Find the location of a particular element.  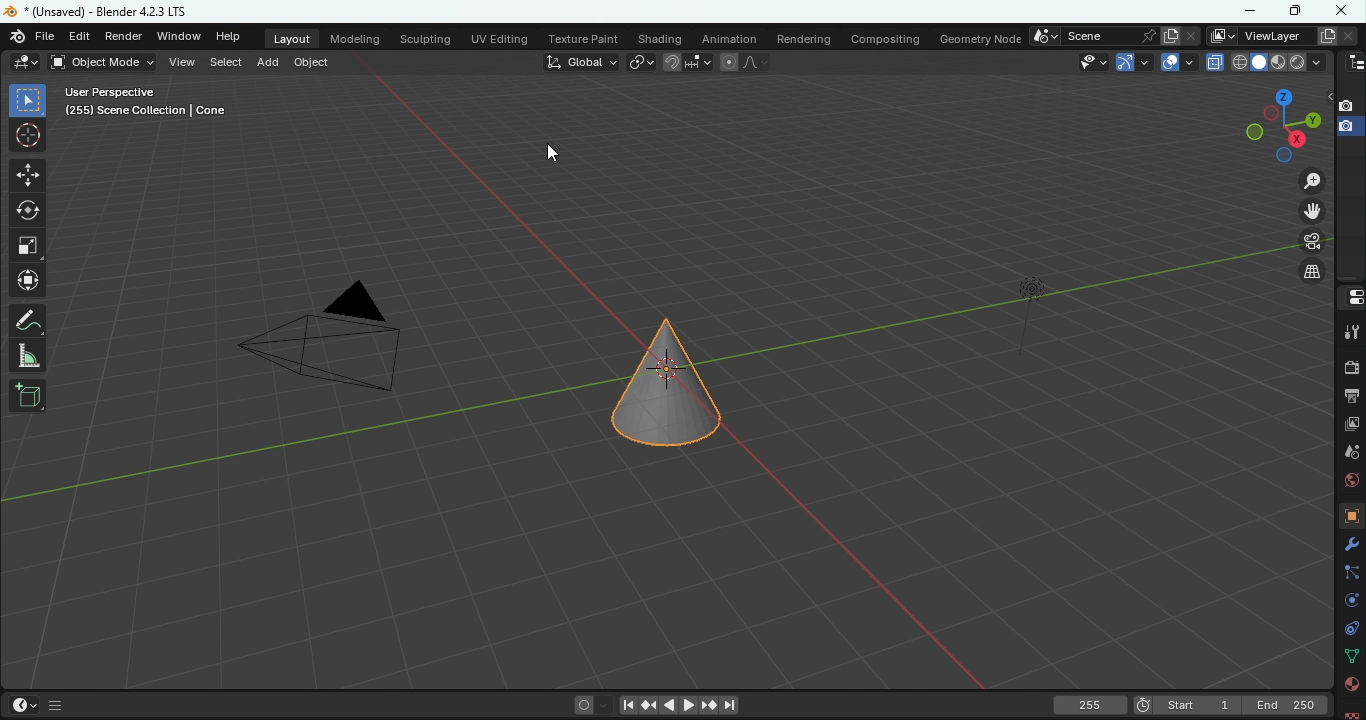

Rotate the scene is located at coordinates (1252, 132).